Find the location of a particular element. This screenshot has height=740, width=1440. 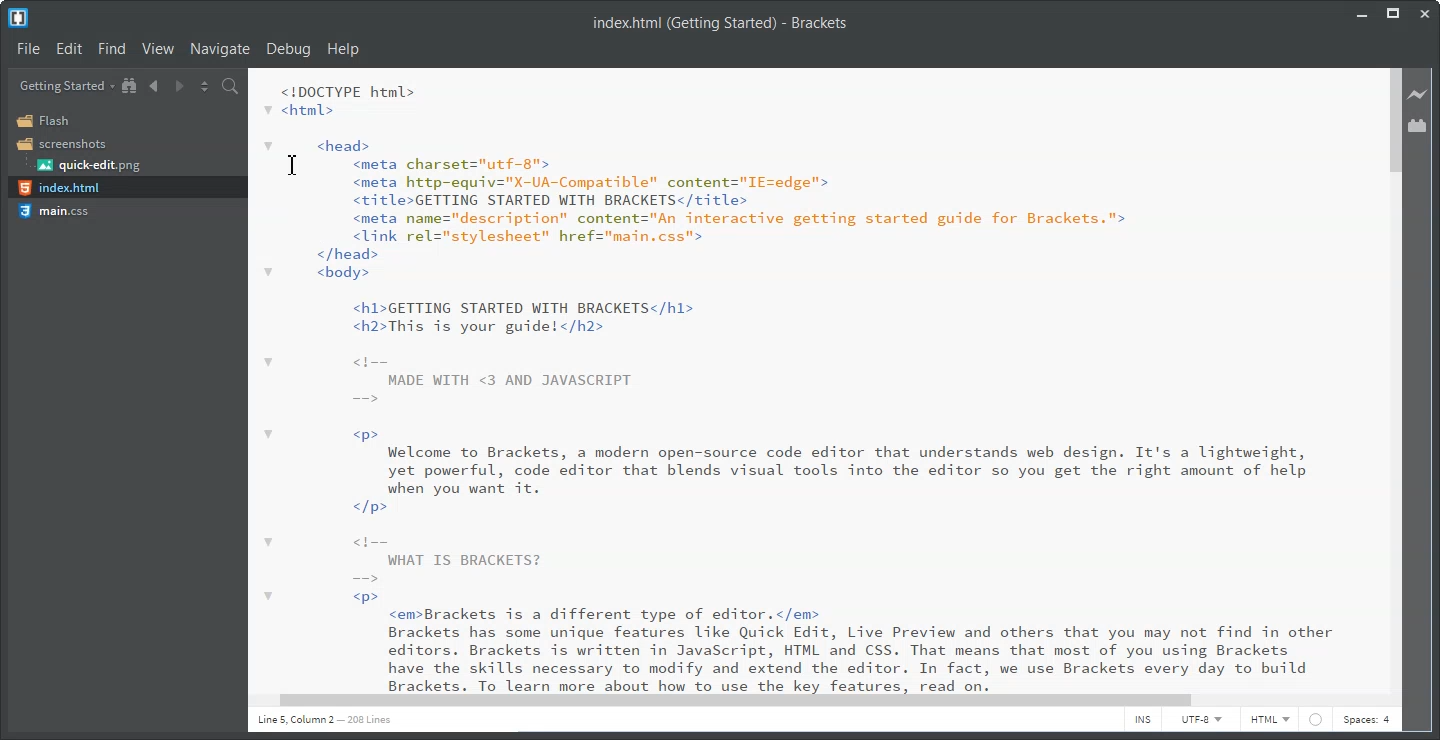

Logo is located at coordinates (20, 19).